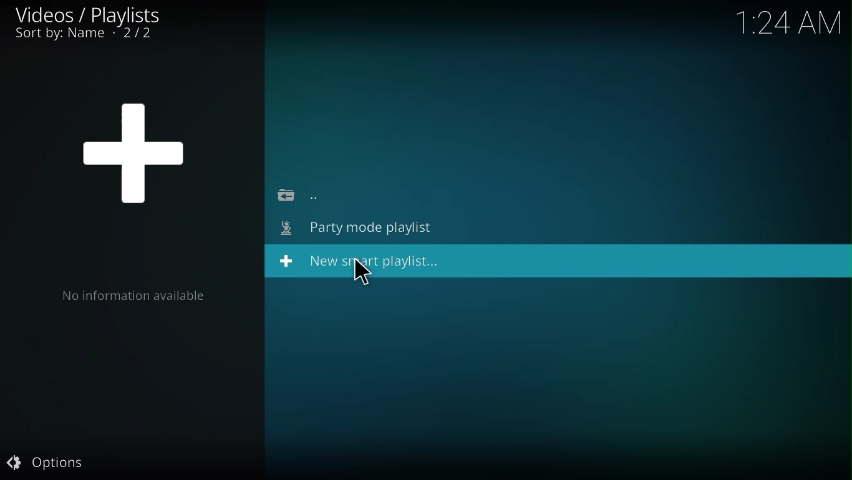 The height and width of the screenshot is (480, 852). What do you see at coordinates (362, 273) in the screenshot?
I see `cursor` at bounding box center [362, 273].